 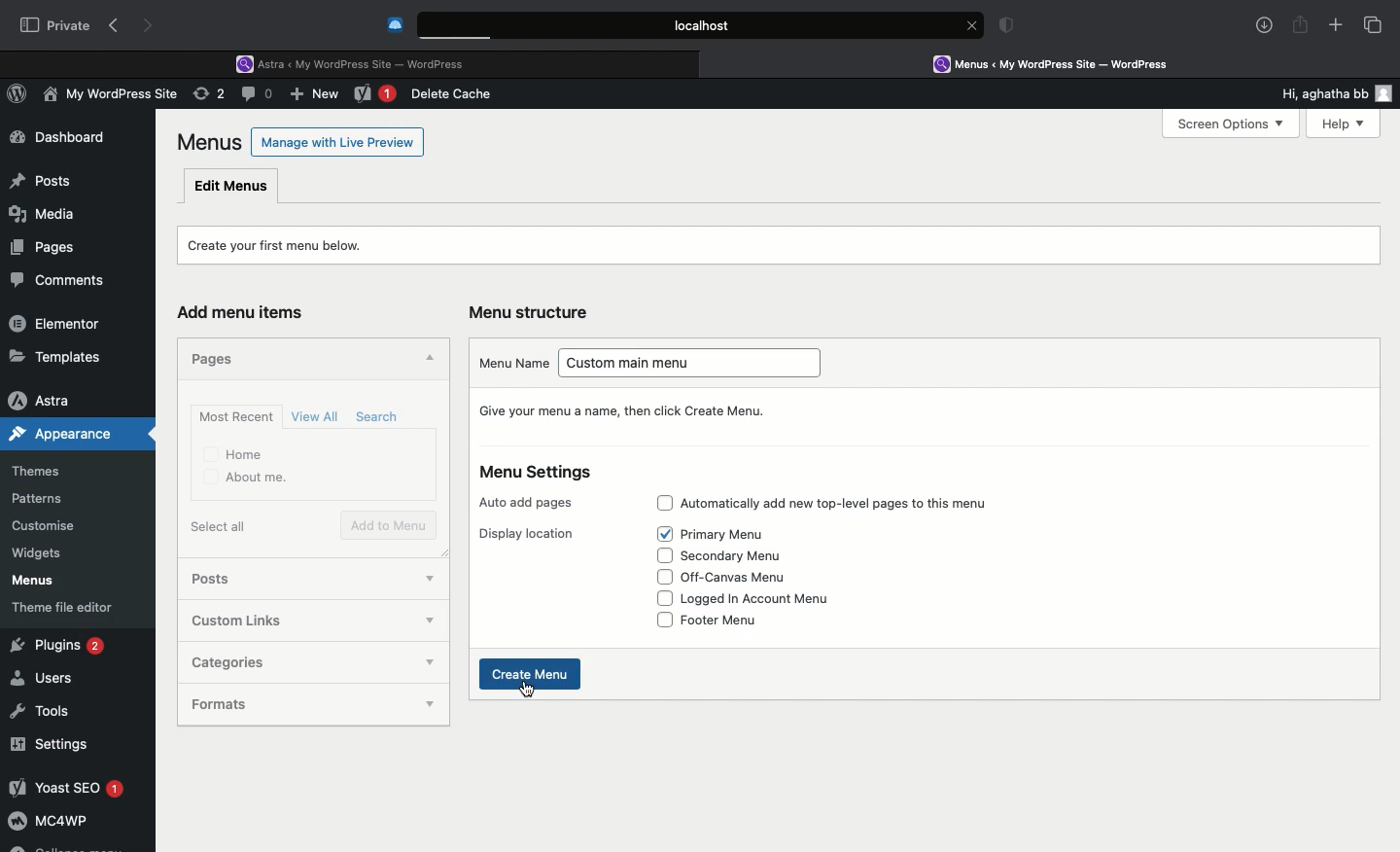 I want to click on Give your menu a name, then click Create Menu, so click(x=629, y=410).